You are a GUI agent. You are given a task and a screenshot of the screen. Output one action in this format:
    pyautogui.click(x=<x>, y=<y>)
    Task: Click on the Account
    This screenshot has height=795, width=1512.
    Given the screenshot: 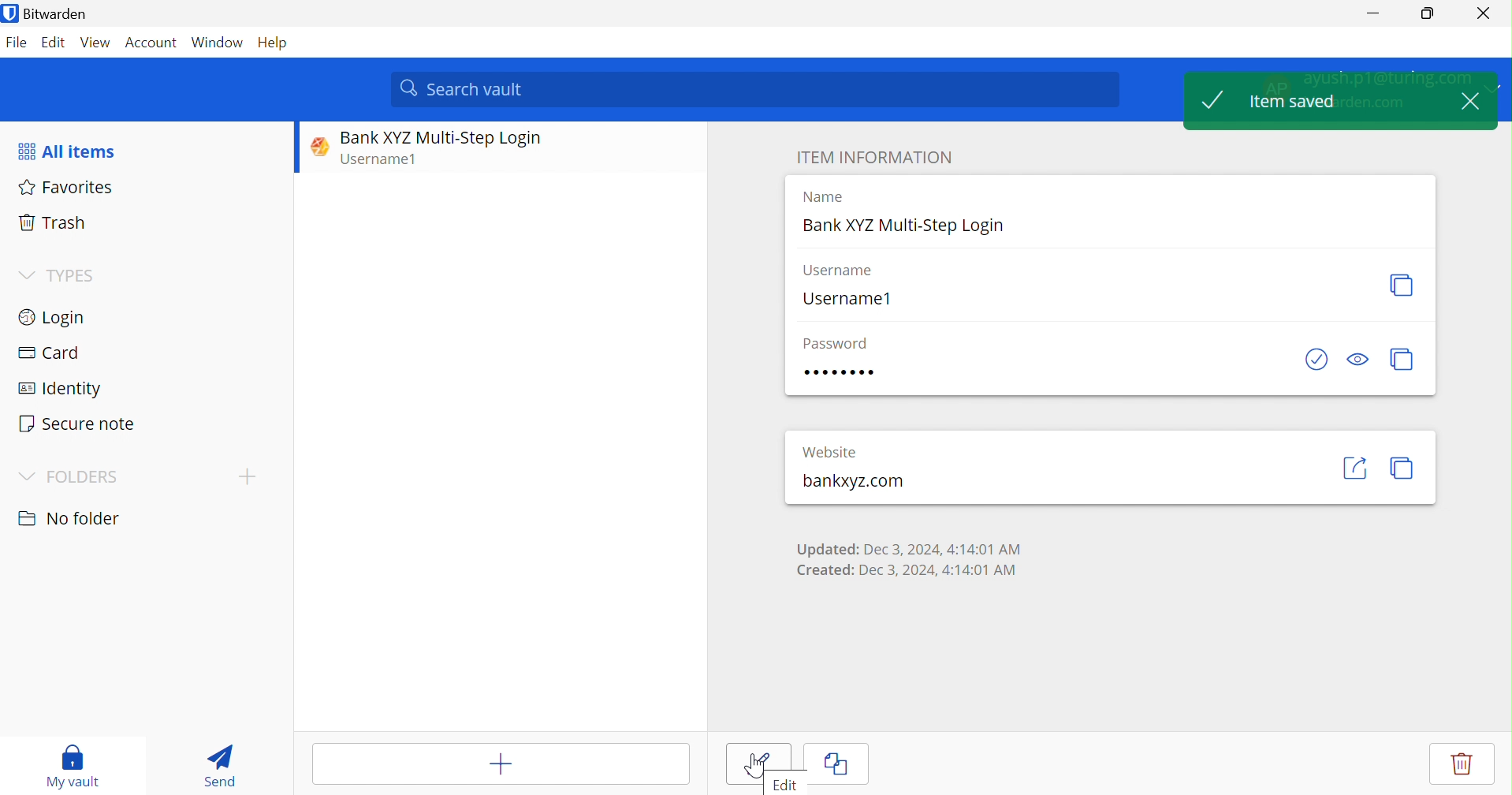 What is the action you would take?
    pyautogui.click(x=154, y=46)
    